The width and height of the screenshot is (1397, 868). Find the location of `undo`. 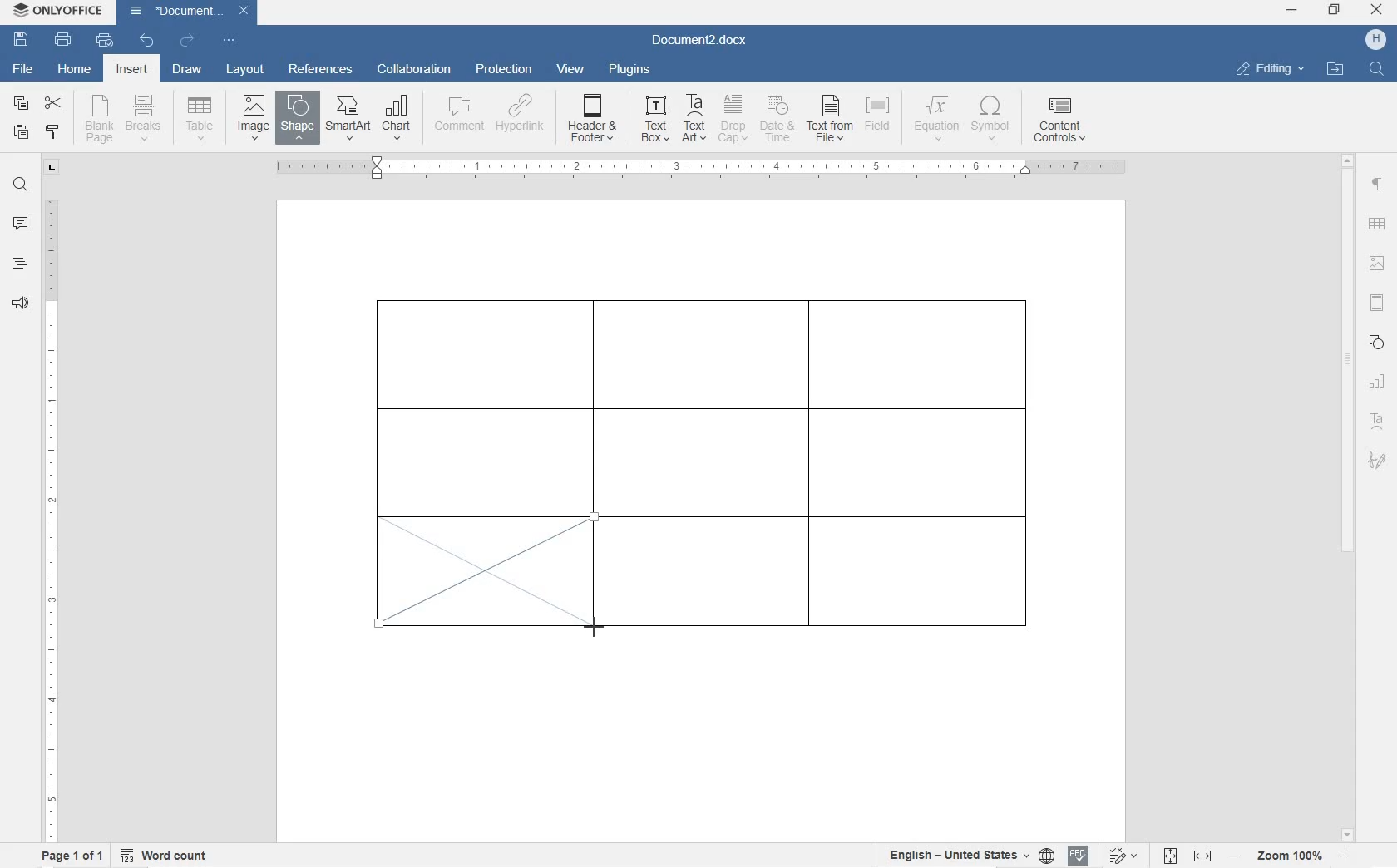

undo is located at coordinates (146, 41).